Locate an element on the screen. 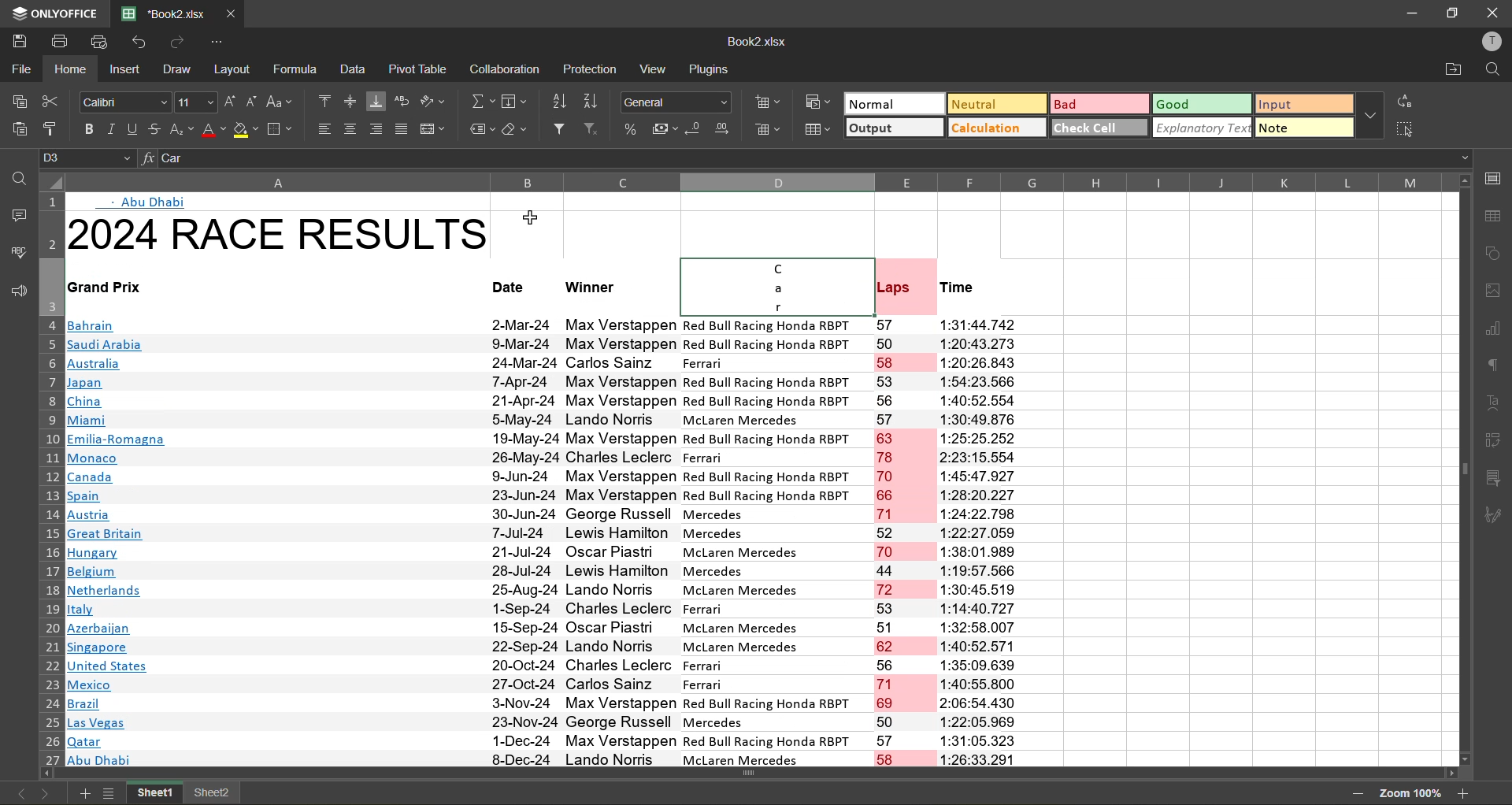  WInner is located at coordinates (590, 291).